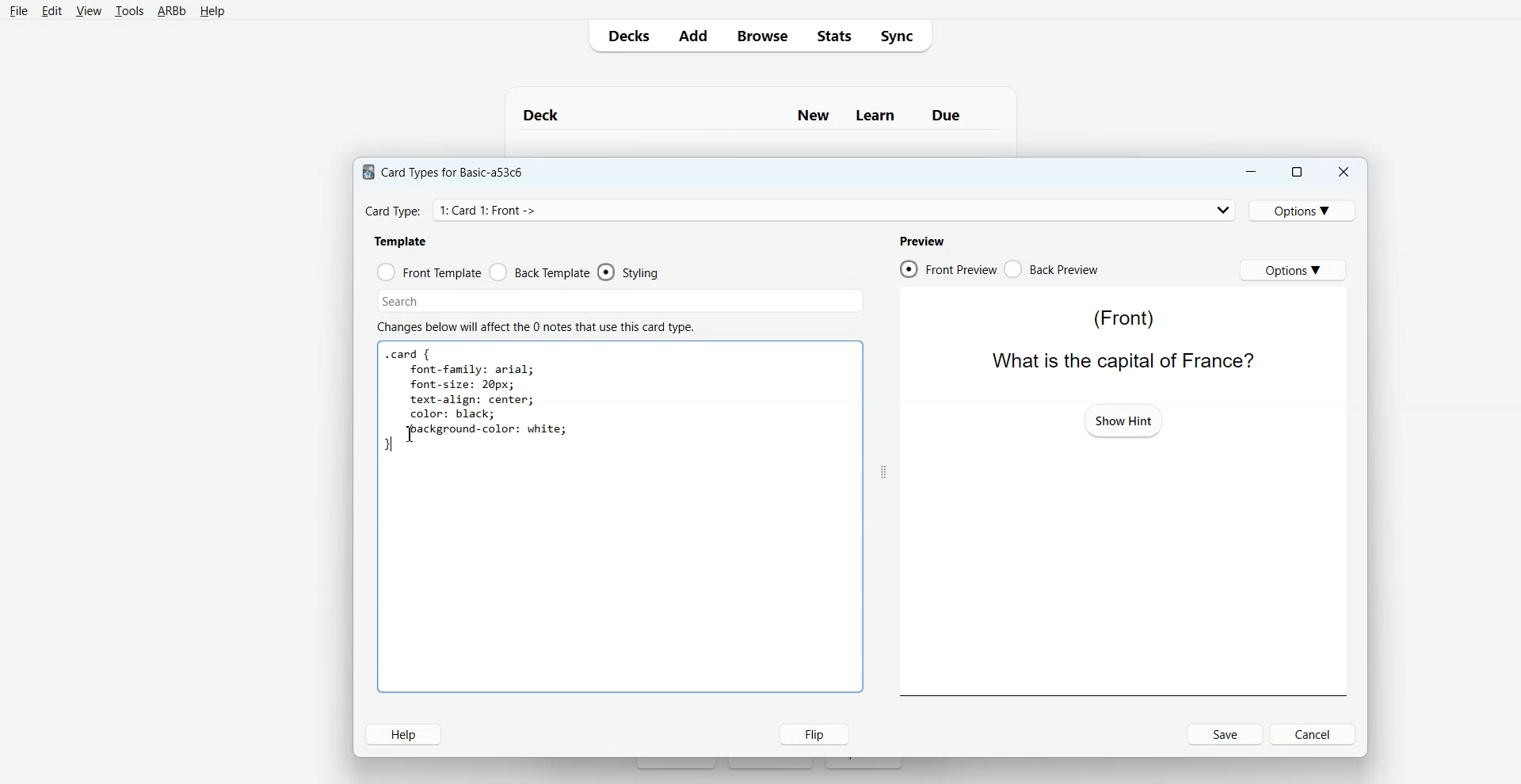 Image resolution: width=1521 pixels, height=784 pixels. I want to click on Tools, so click(129, 12).